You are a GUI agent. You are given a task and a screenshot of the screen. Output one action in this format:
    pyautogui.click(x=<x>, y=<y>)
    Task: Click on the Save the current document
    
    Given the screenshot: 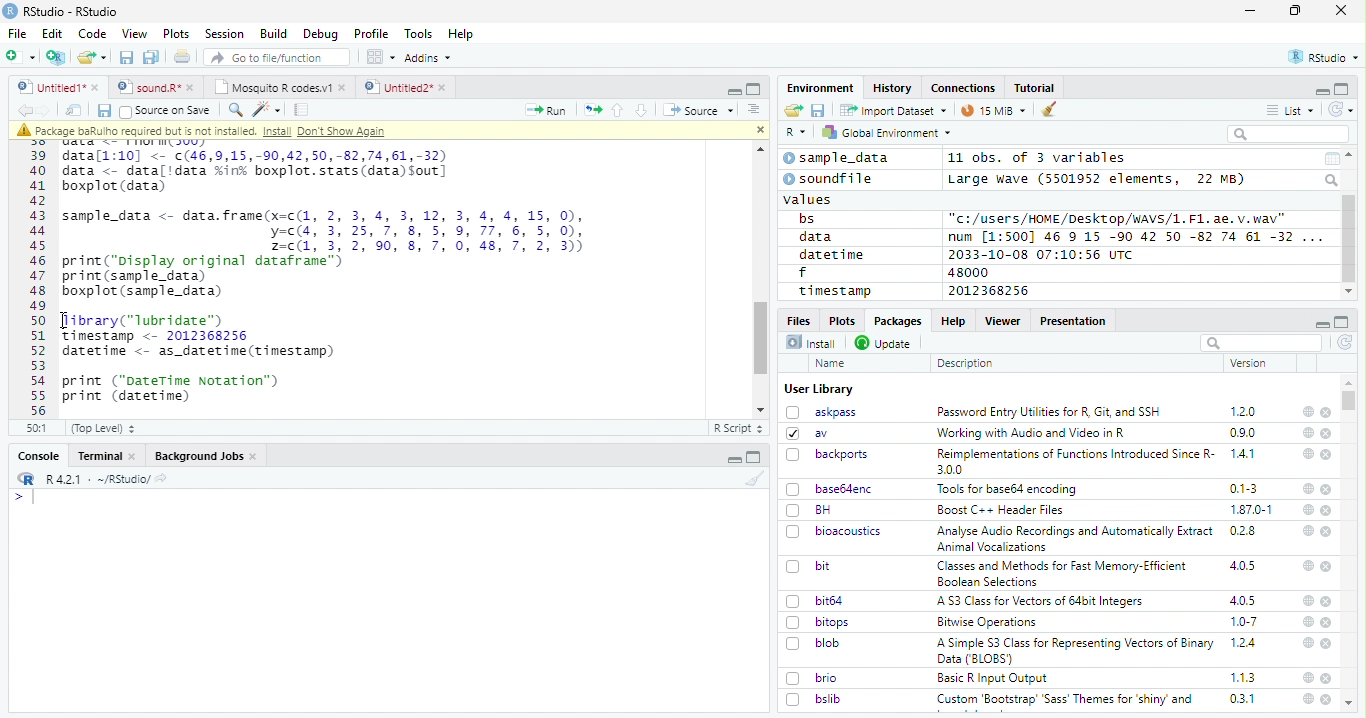 What is the action you would take?
    pyautogui.click(x=127, y=58)
    